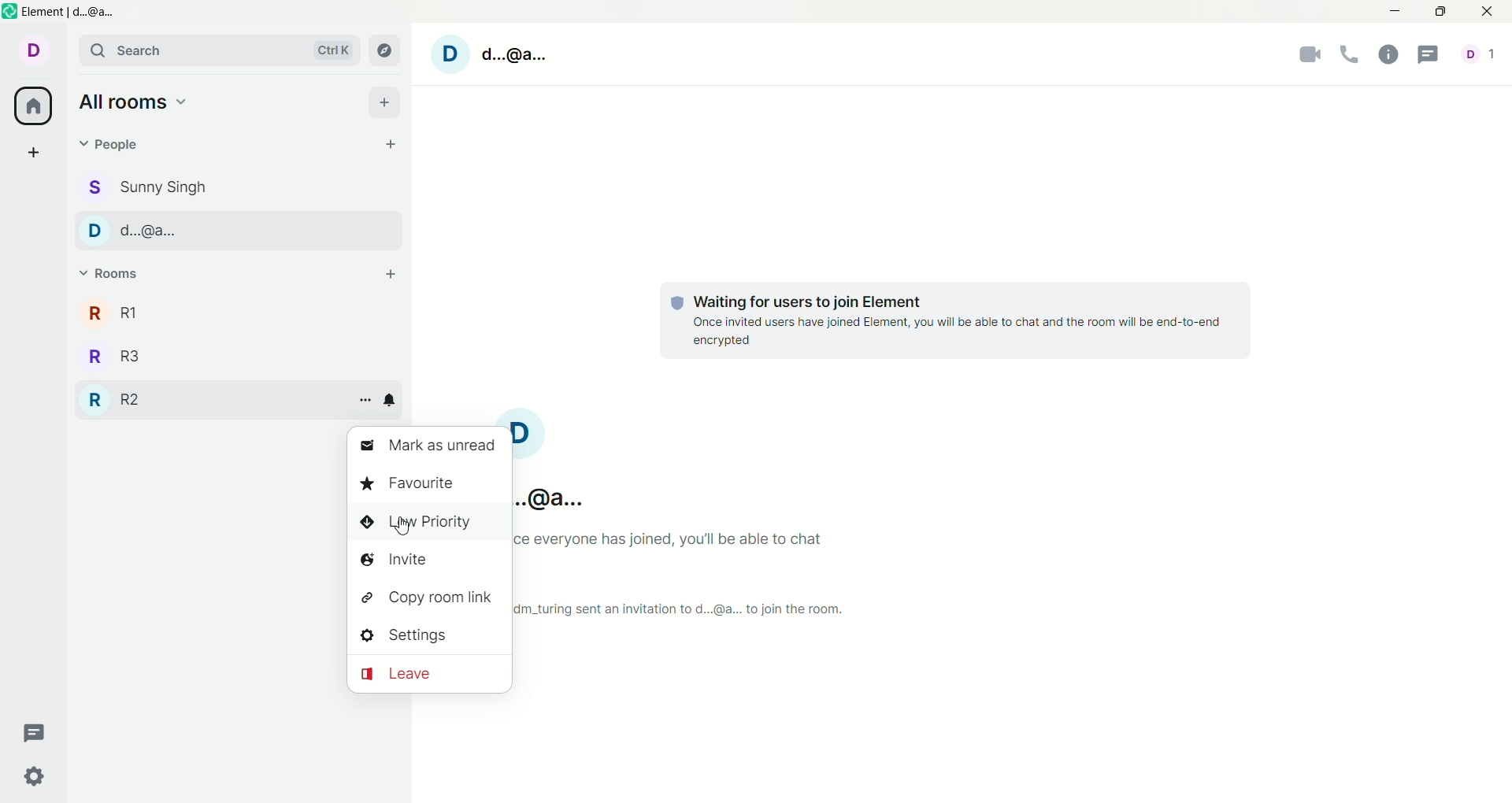  Describe the element at coordinates (417, 524) in the screenshot. I see `low priority` at that location.